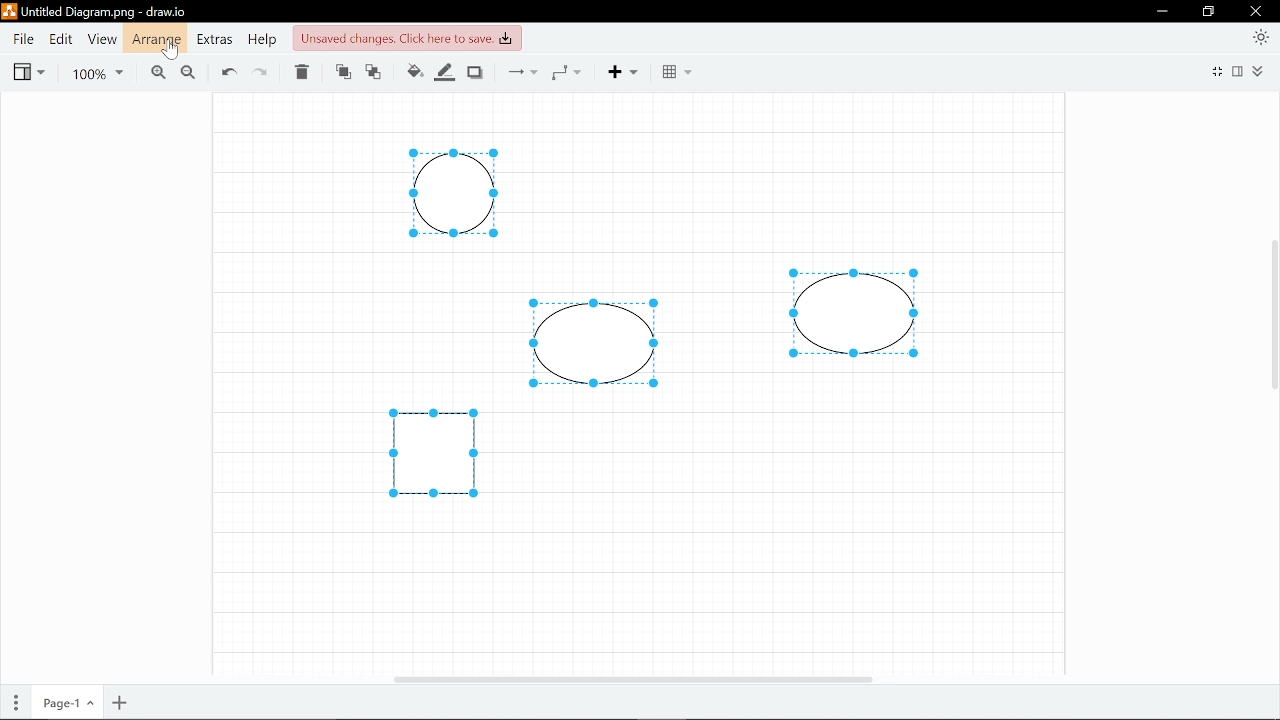 The height and width of the screenshot is (720, 1280). Describe the element at coordinates (414, 71) in the screenshot. I see `Fill color` at that location.